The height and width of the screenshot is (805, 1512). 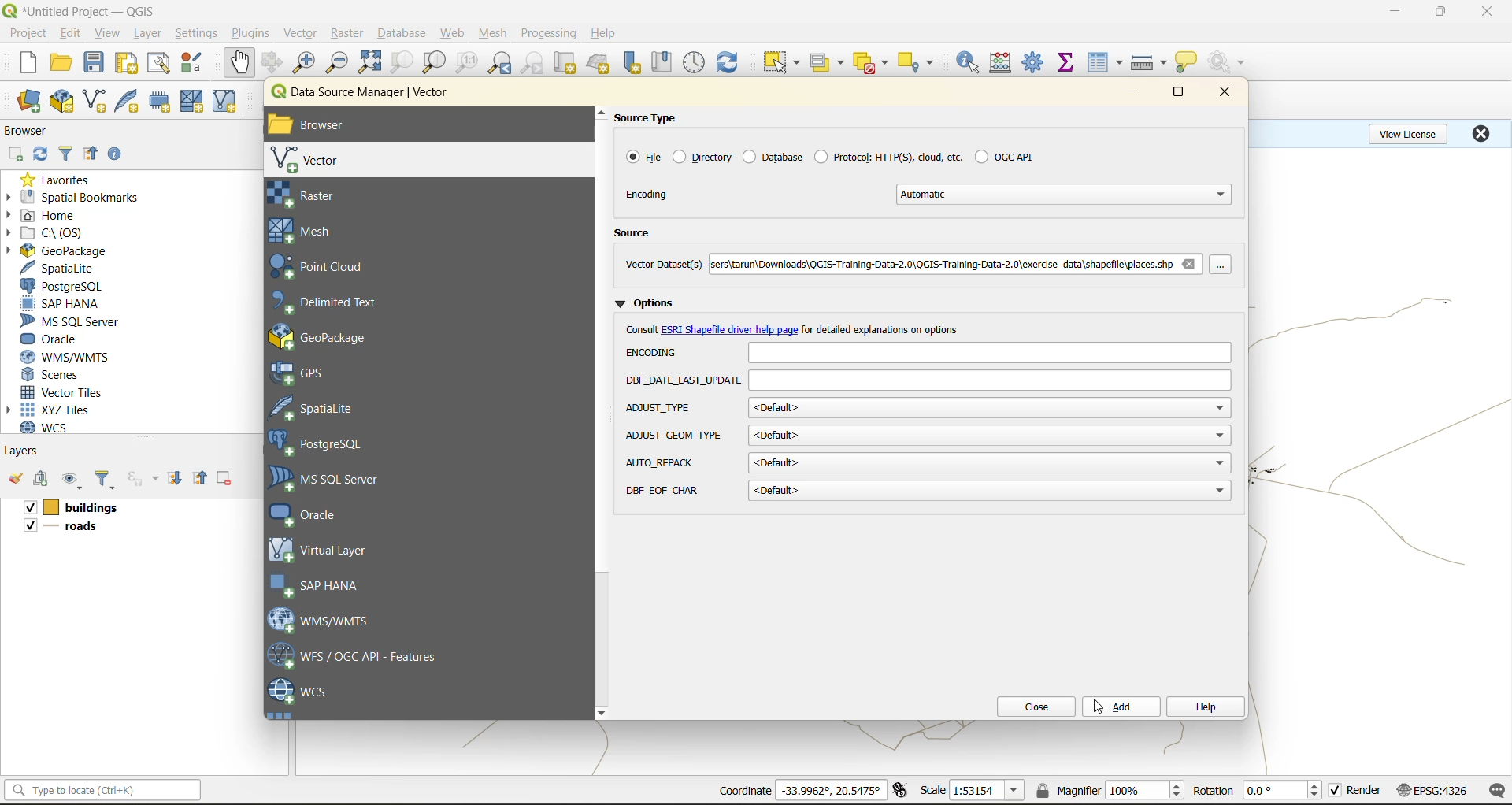 What do you see at coordinates (1336, 791) in the screenshot?
I see `checkbox` at bounding box center [1336, 791].